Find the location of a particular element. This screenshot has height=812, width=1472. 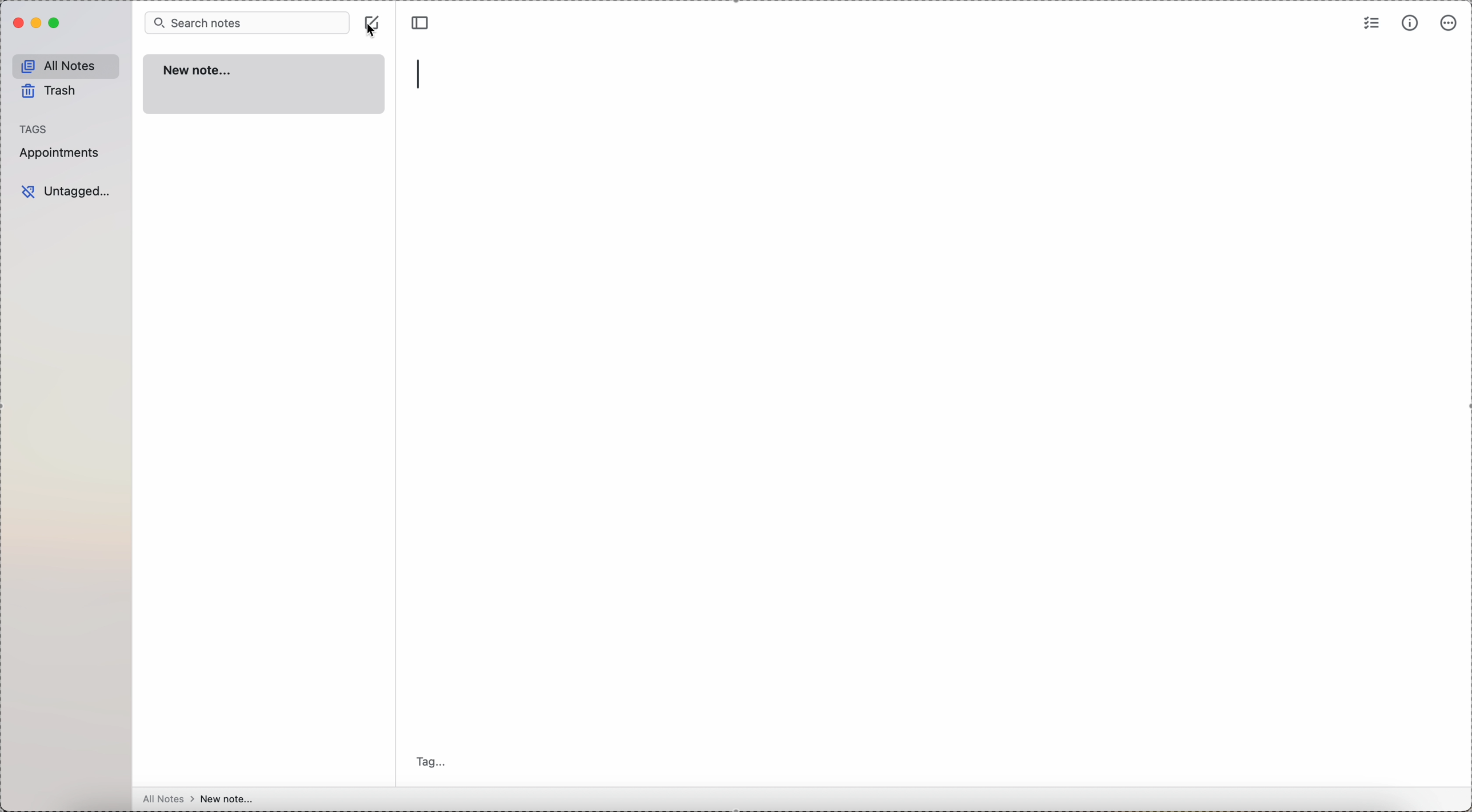

new note is located at coordinates (263, 85).